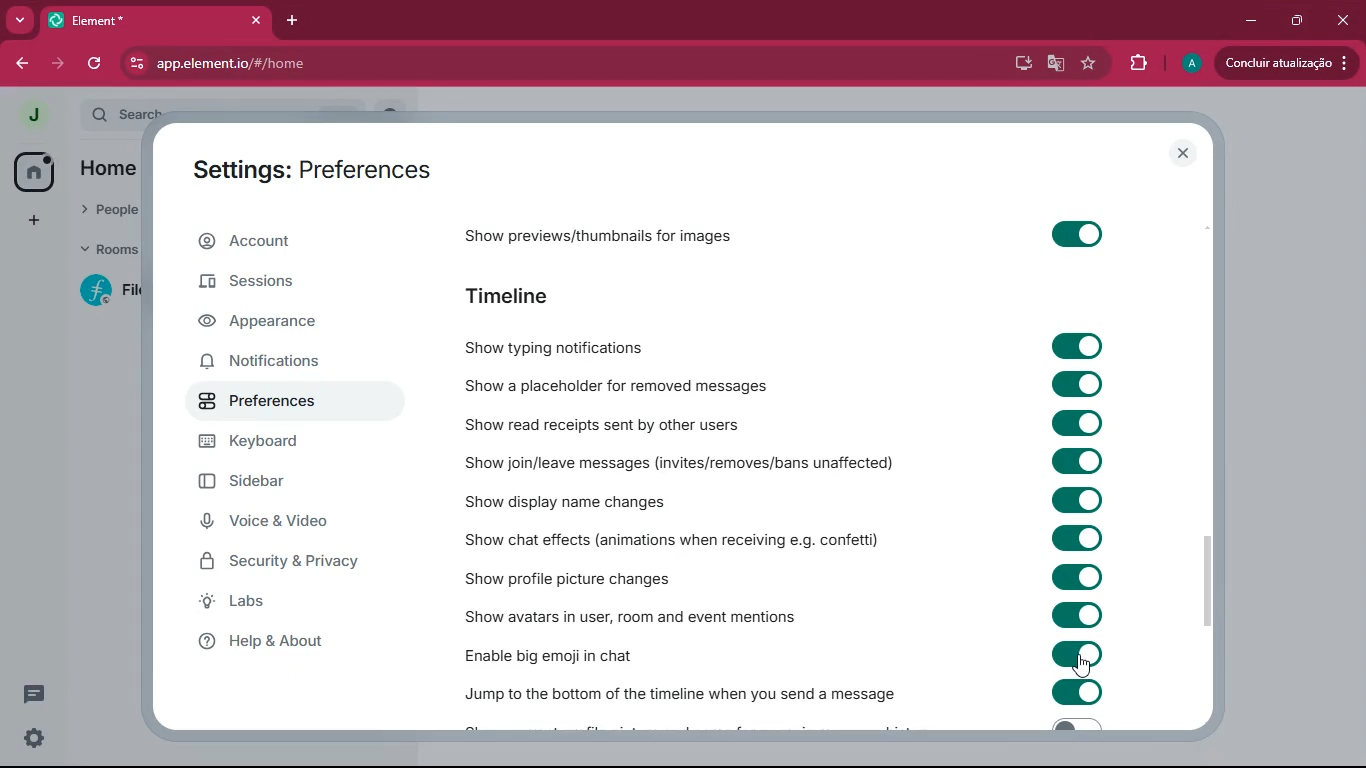 The width and height of the screenshot is (1366, 768). What do you see at coordinates (1284, 62) in the screenshot?
I see `concluir atualizacao` at bounding box center [1284, 62].